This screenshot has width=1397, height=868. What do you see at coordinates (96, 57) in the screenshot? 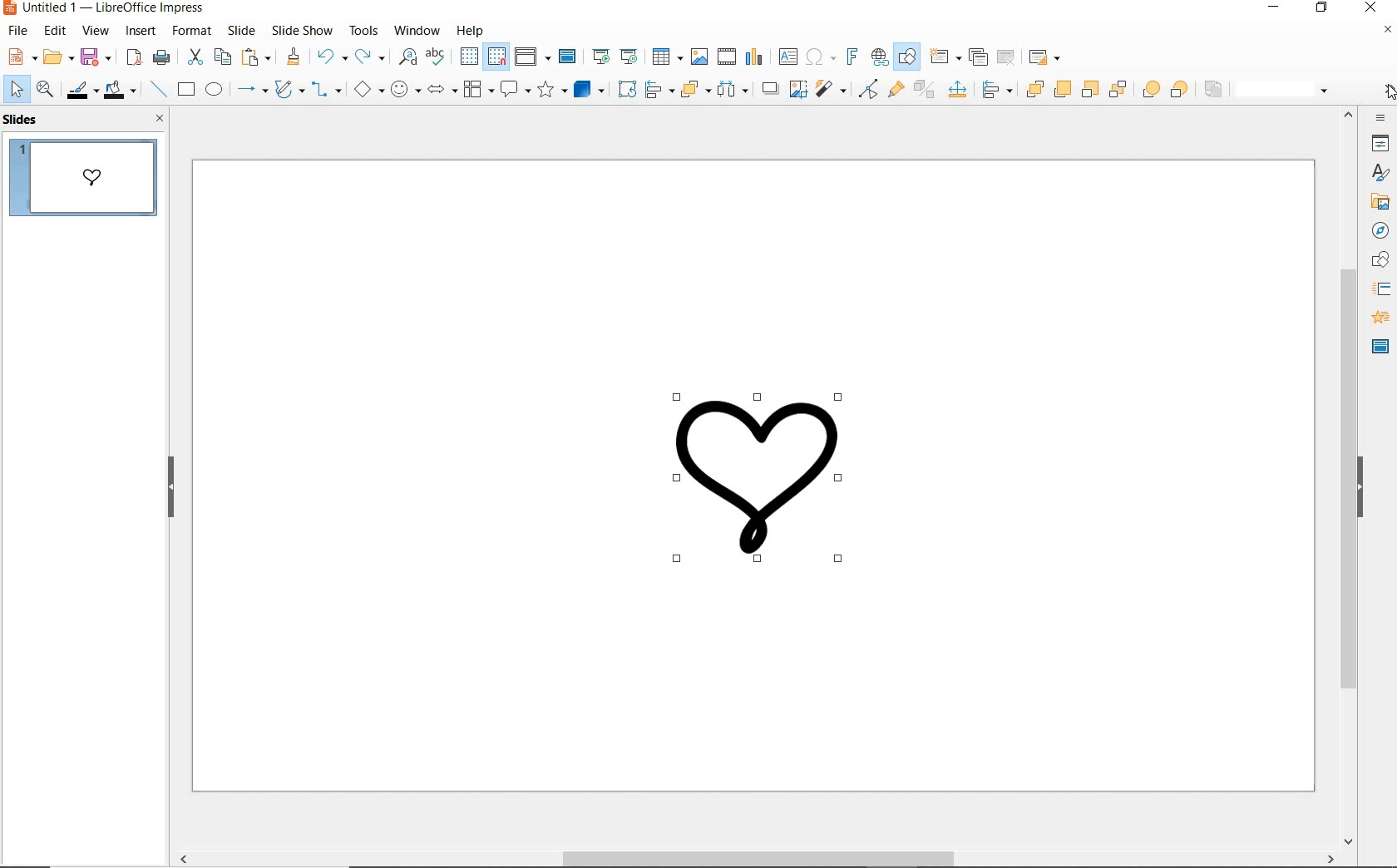
I see `save` at bounding box center [96, 57].